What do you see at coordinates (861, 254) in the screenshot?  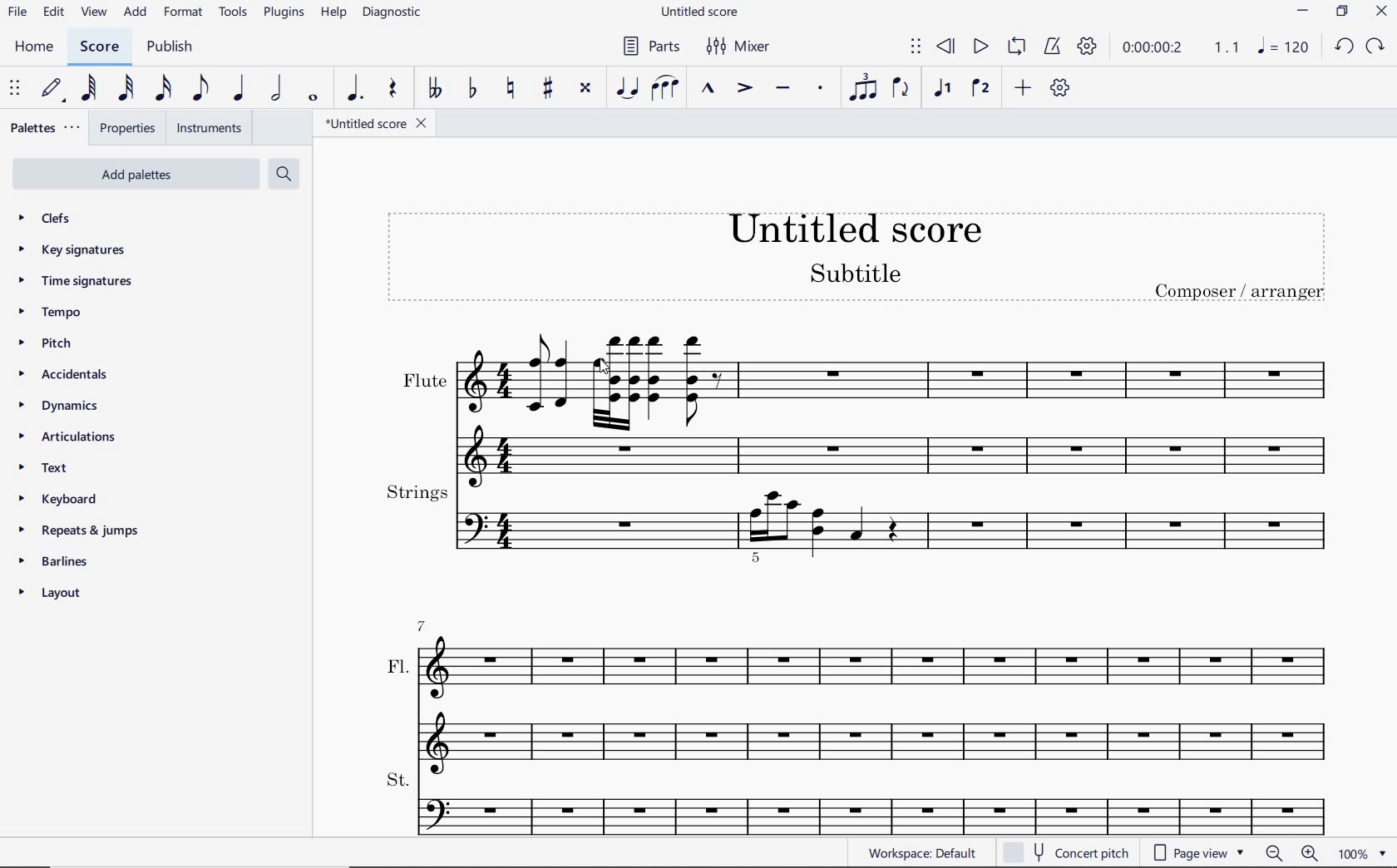 I see `title` at bounding box center [861, 254].